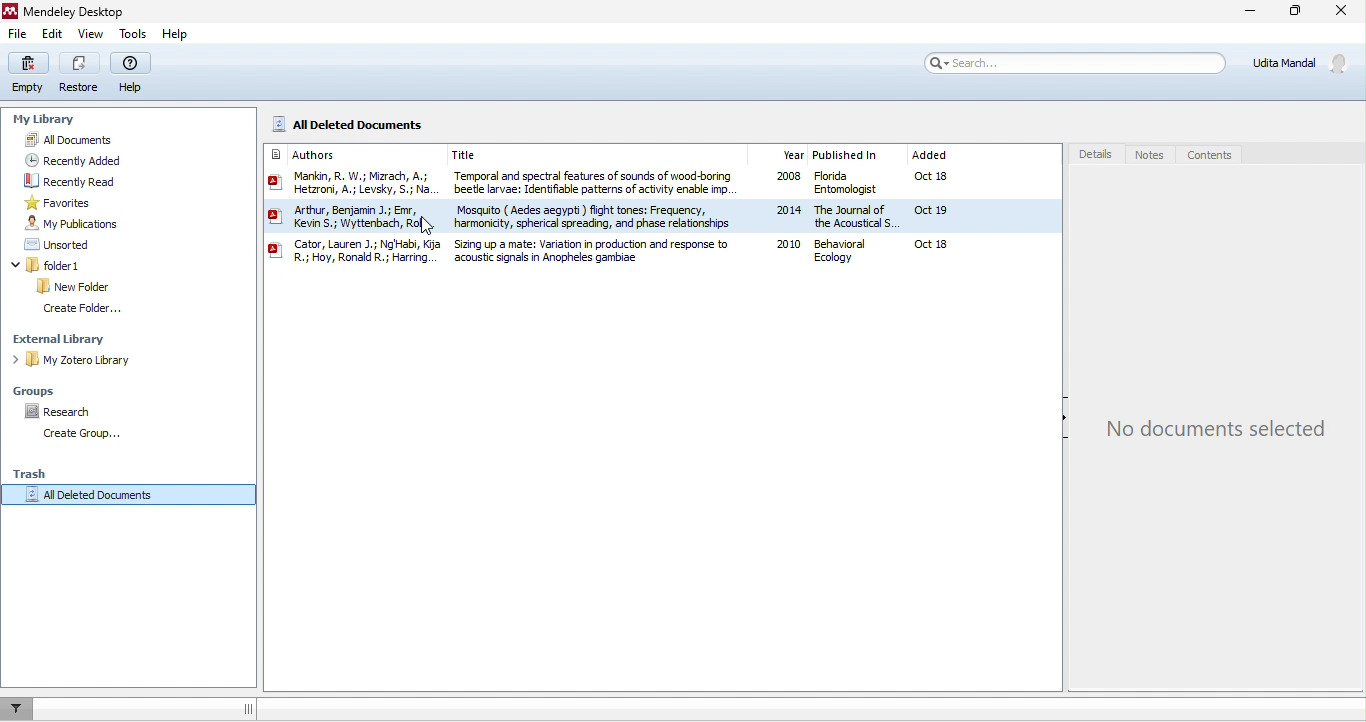  What do you see at coordinates (80, 223) in the screenshot?
I see `my publication` at bounding box center [80, 223].